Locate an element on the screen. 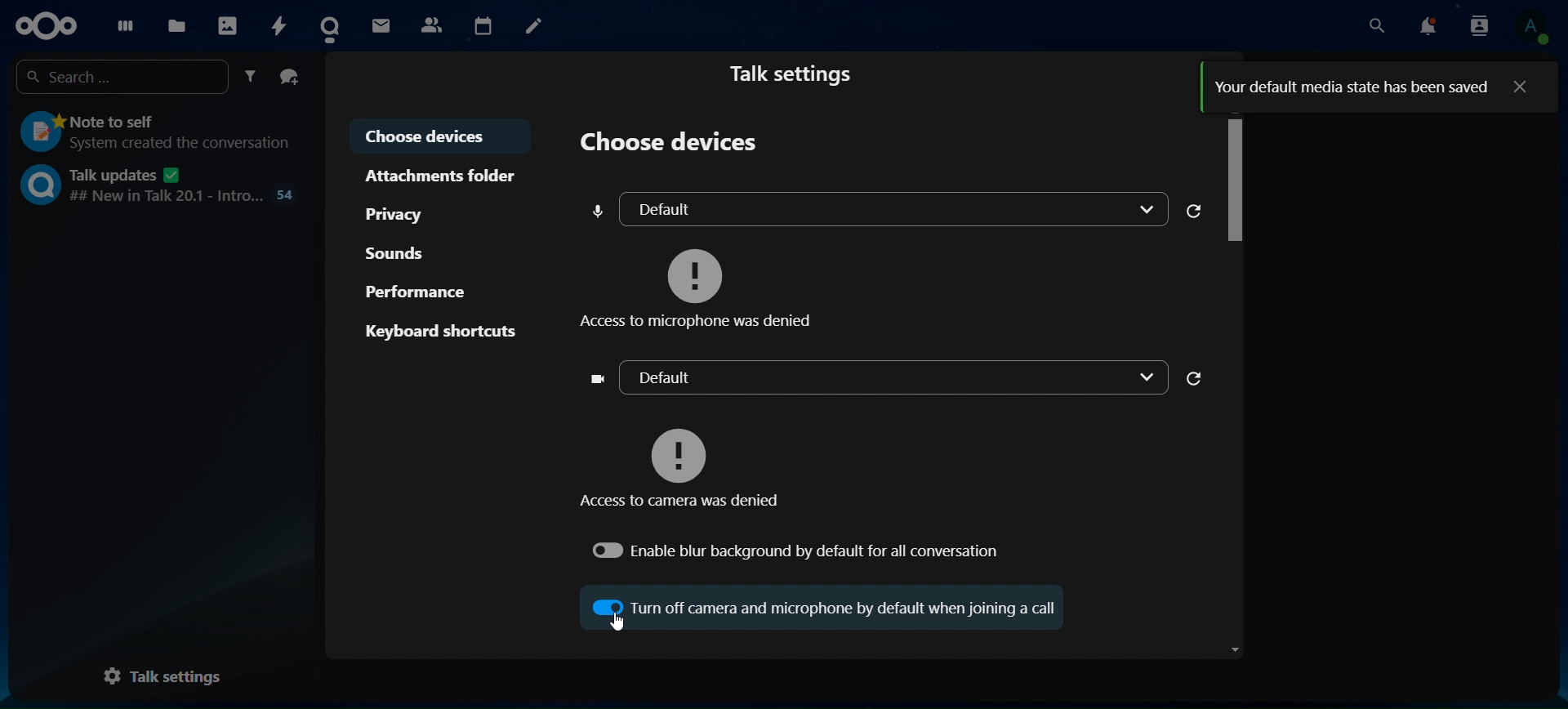 The height and width of the screenshot is (709, 1568). access to camera was denied is located at coordinates (689, 466).